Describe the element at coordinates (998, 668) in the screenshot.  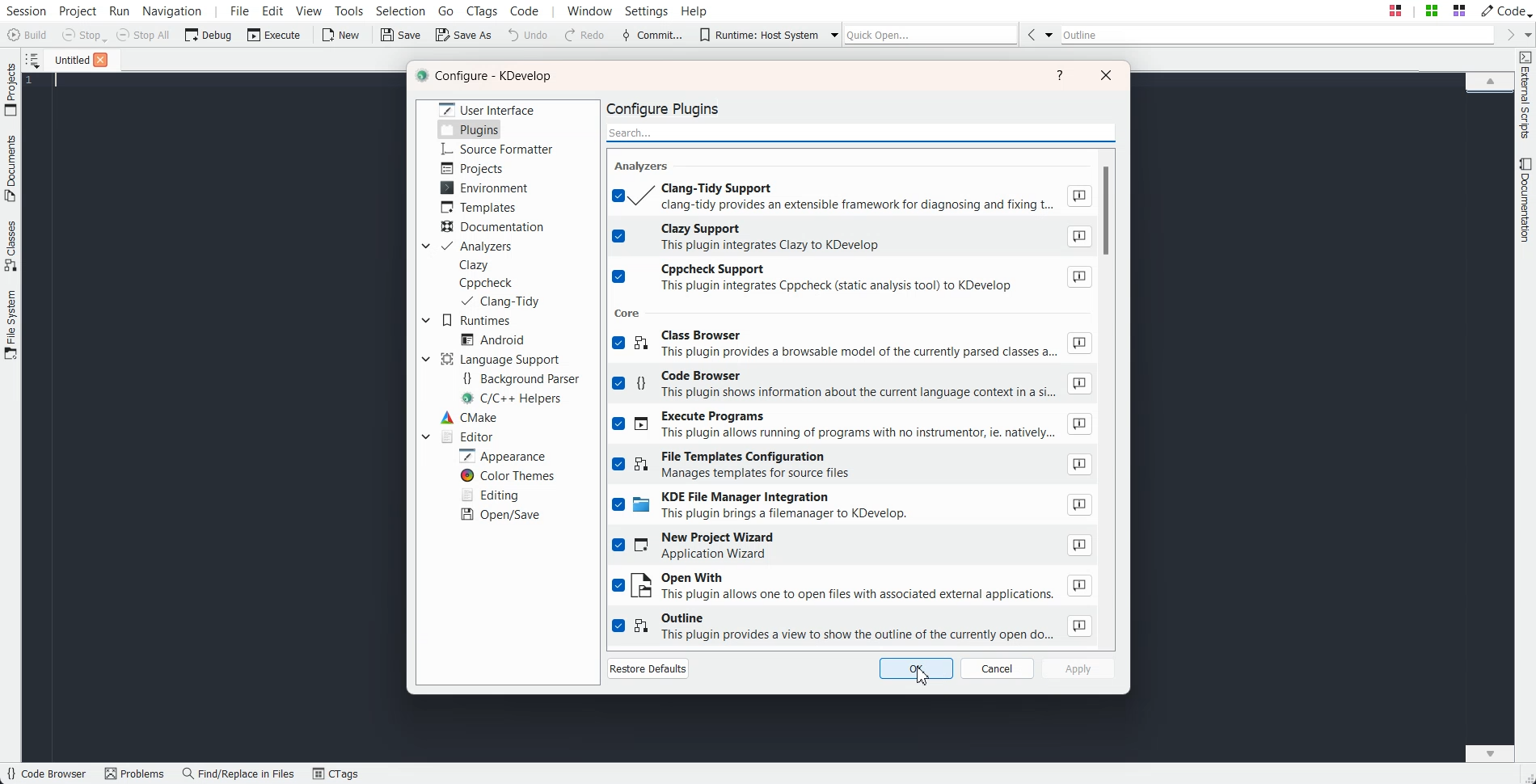
I see `Cancel` at that location.